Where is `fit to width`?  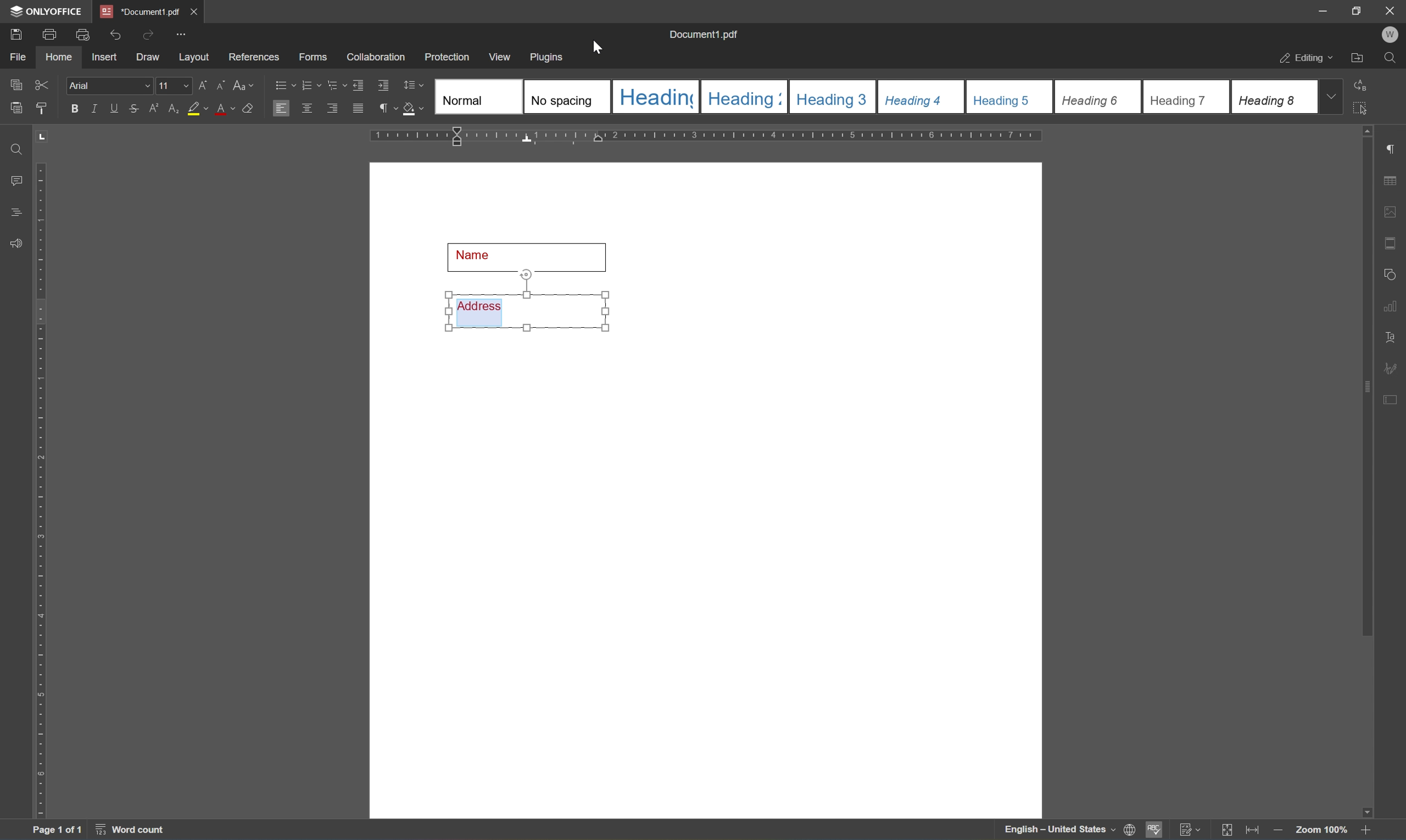 fit to width is located at coordinates (1251, 832).